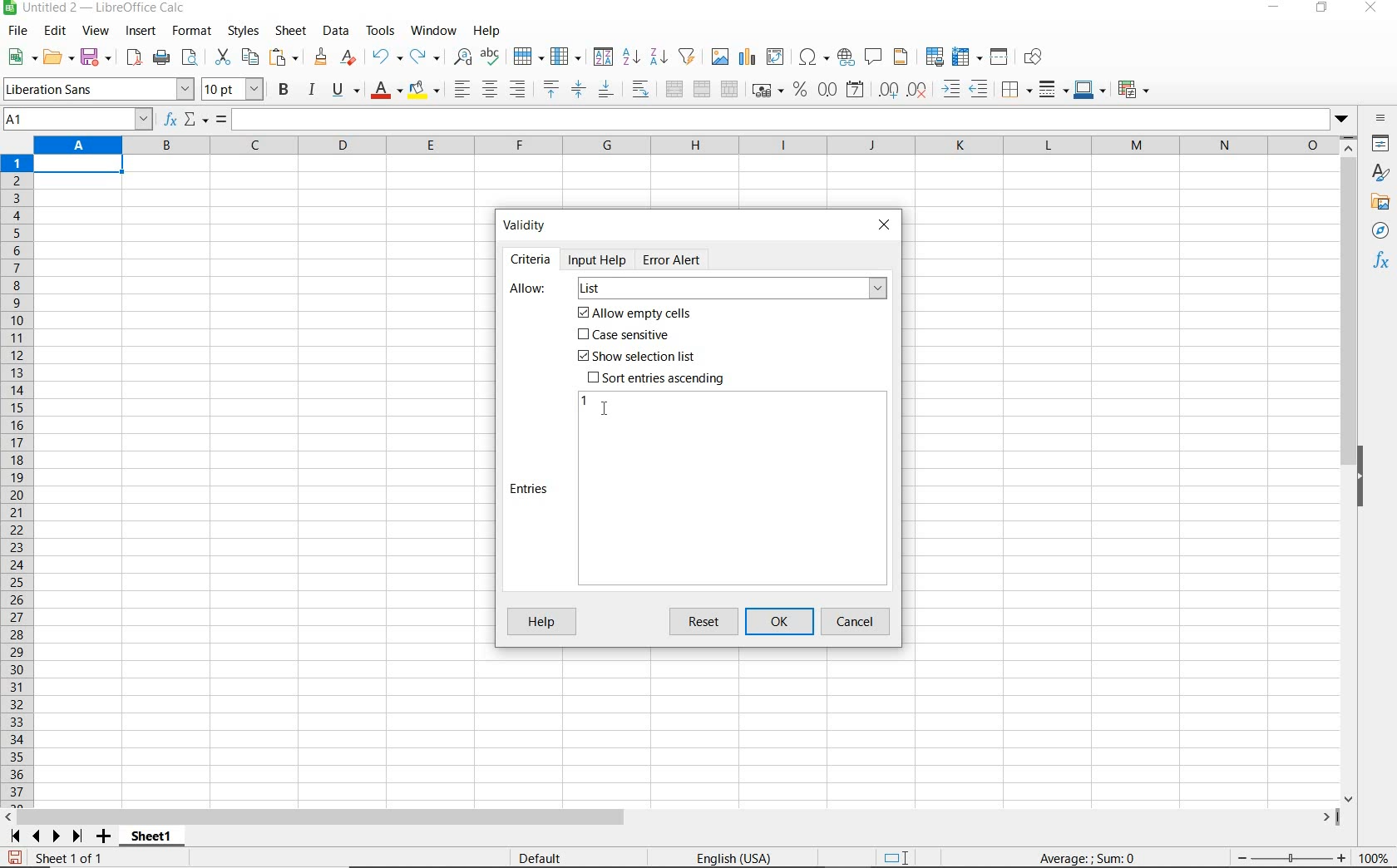  What do you see at coordinates (603, 58) in the screenshot?
I see `sort` at bounding box center [603, 58].